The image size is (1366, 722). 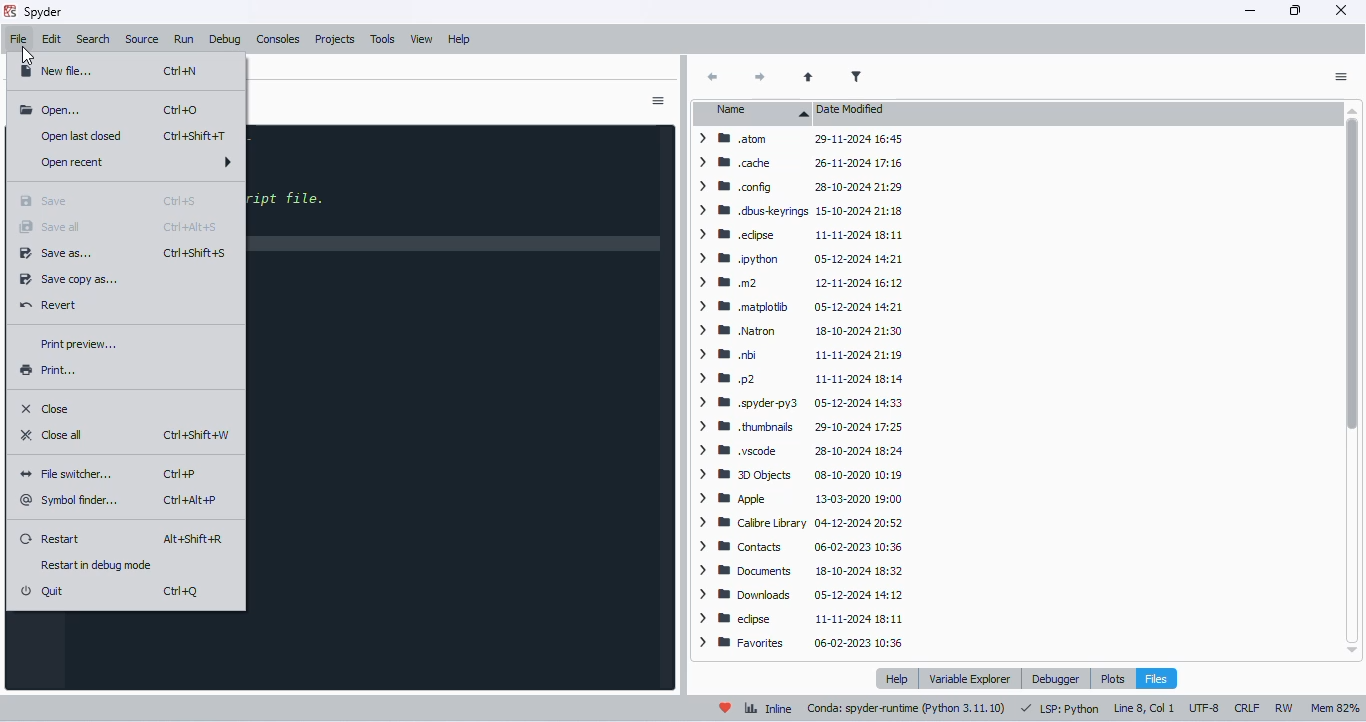 What do you see at coordinates (798, 475) in the screenshot?
I see `> BB DObjects 08-10-2020 10:19` at bounding box center [798, 475].